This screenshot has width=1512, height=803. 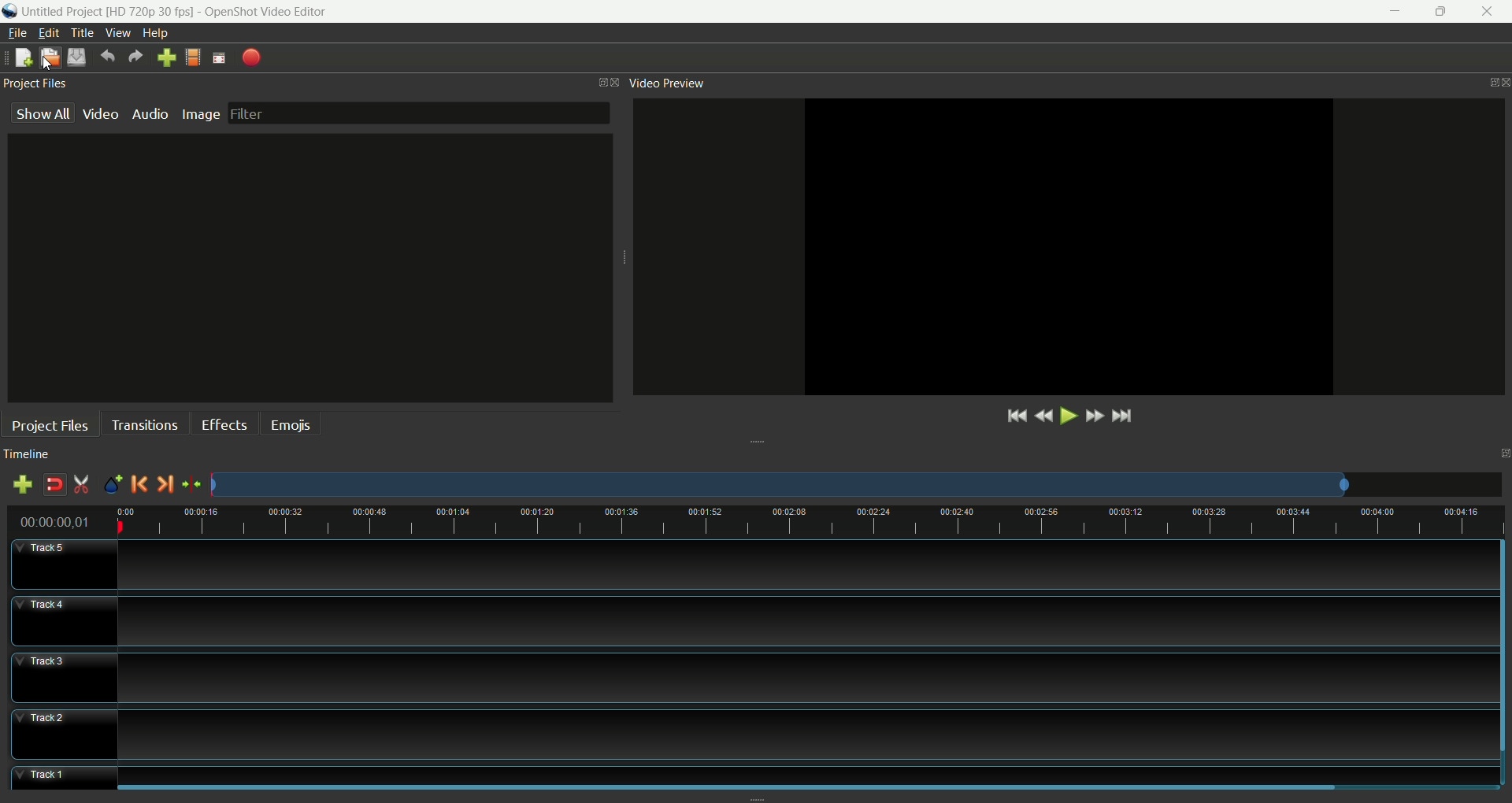 I want to click on track1, so click(x=65, y=771).